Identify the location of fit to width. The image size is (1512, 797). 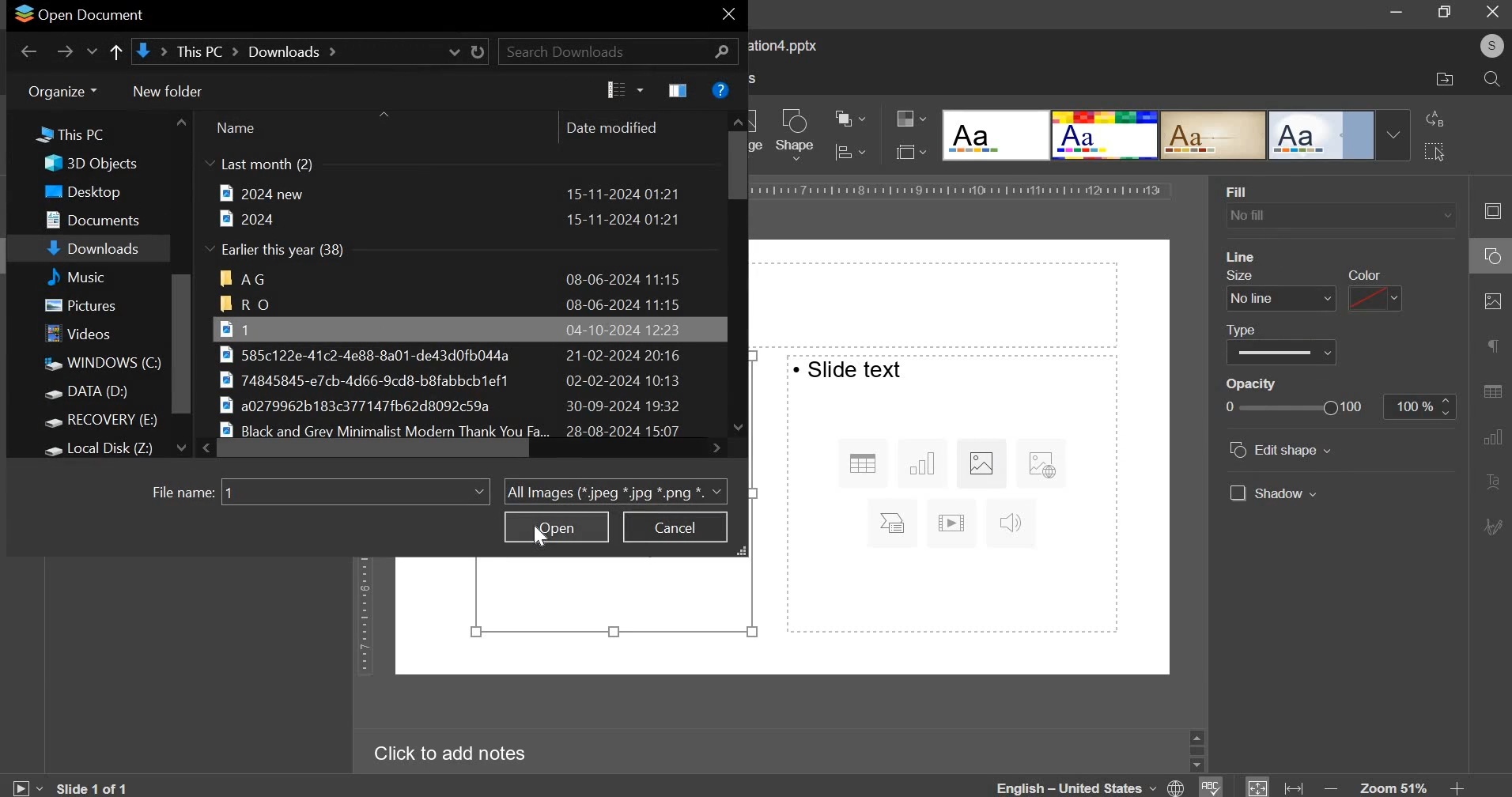
(1295, 788).